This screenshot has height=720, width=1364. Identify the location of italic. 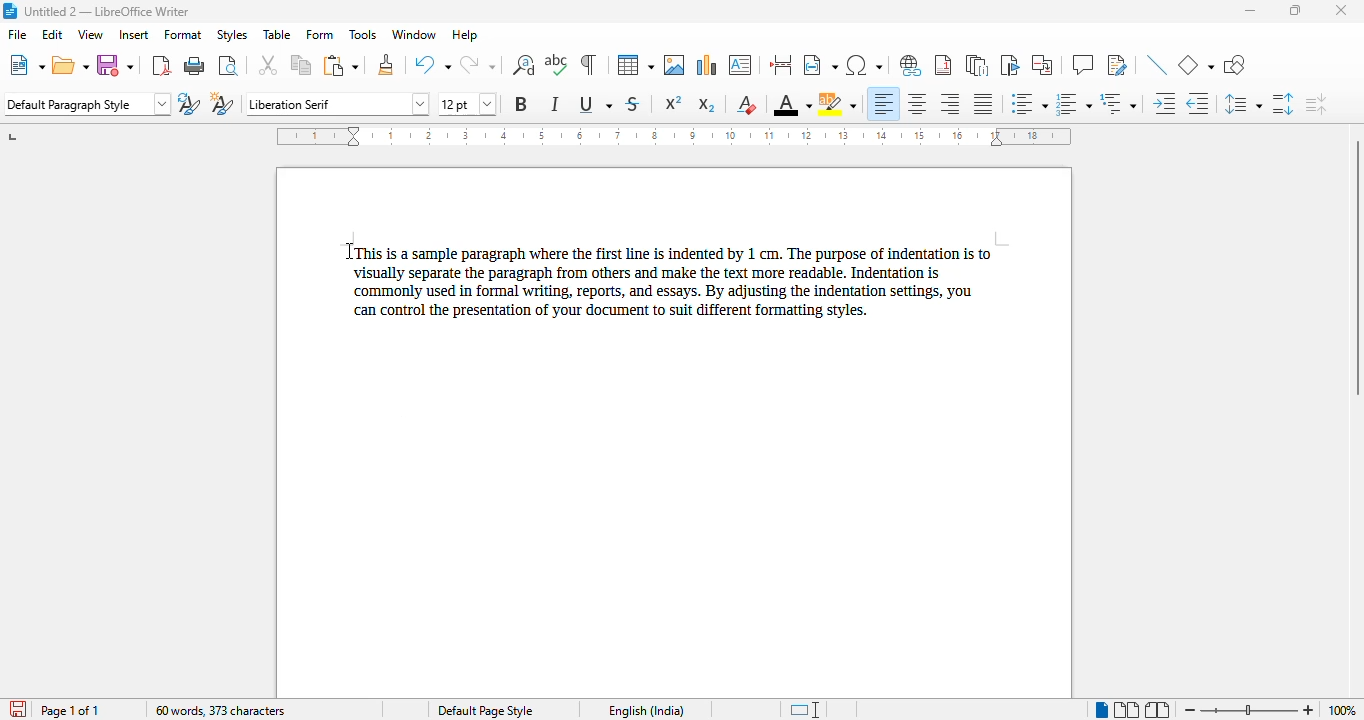
(555, 104).